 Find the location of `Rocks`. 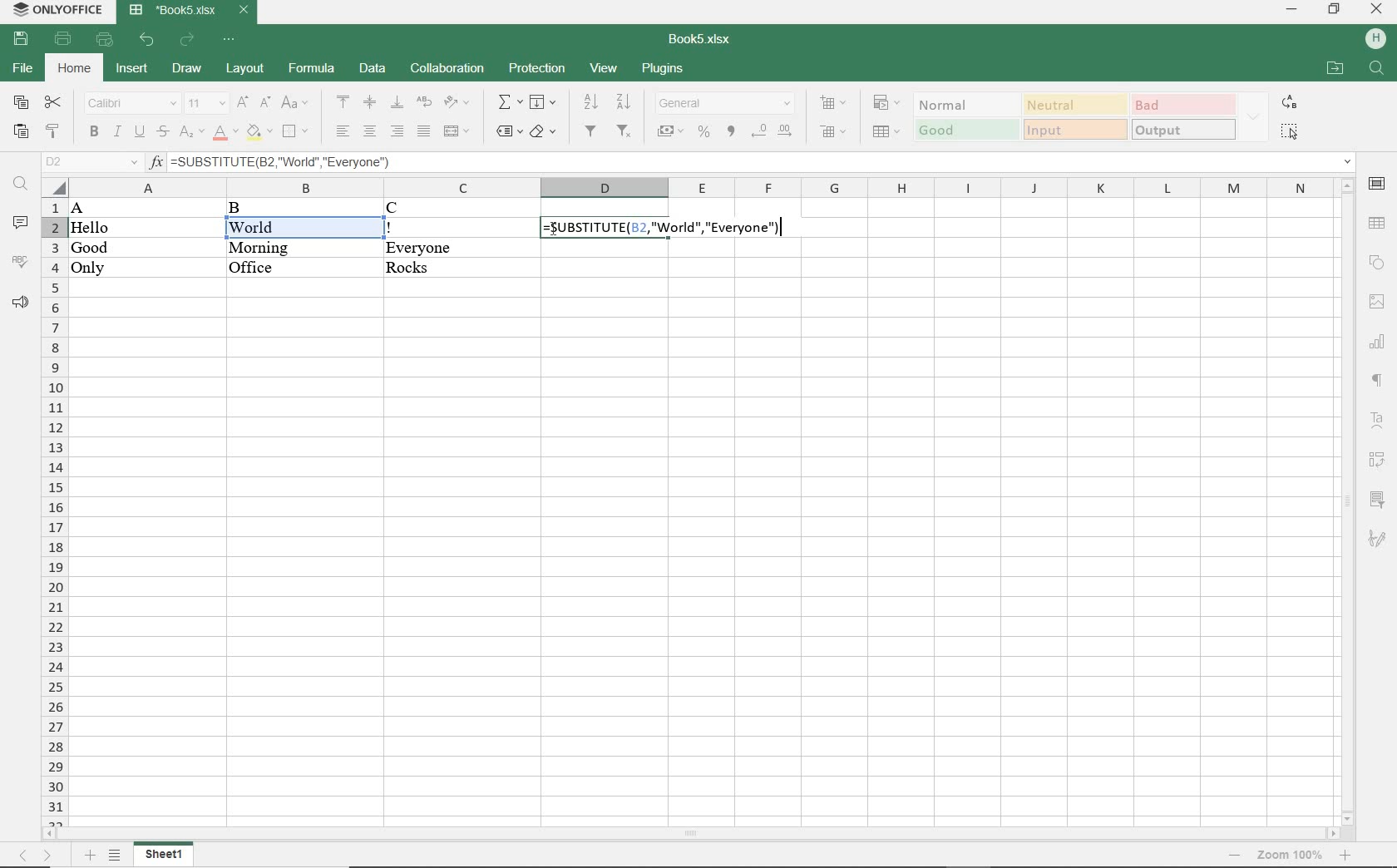

Rocks is located at coordinates (460, 269).